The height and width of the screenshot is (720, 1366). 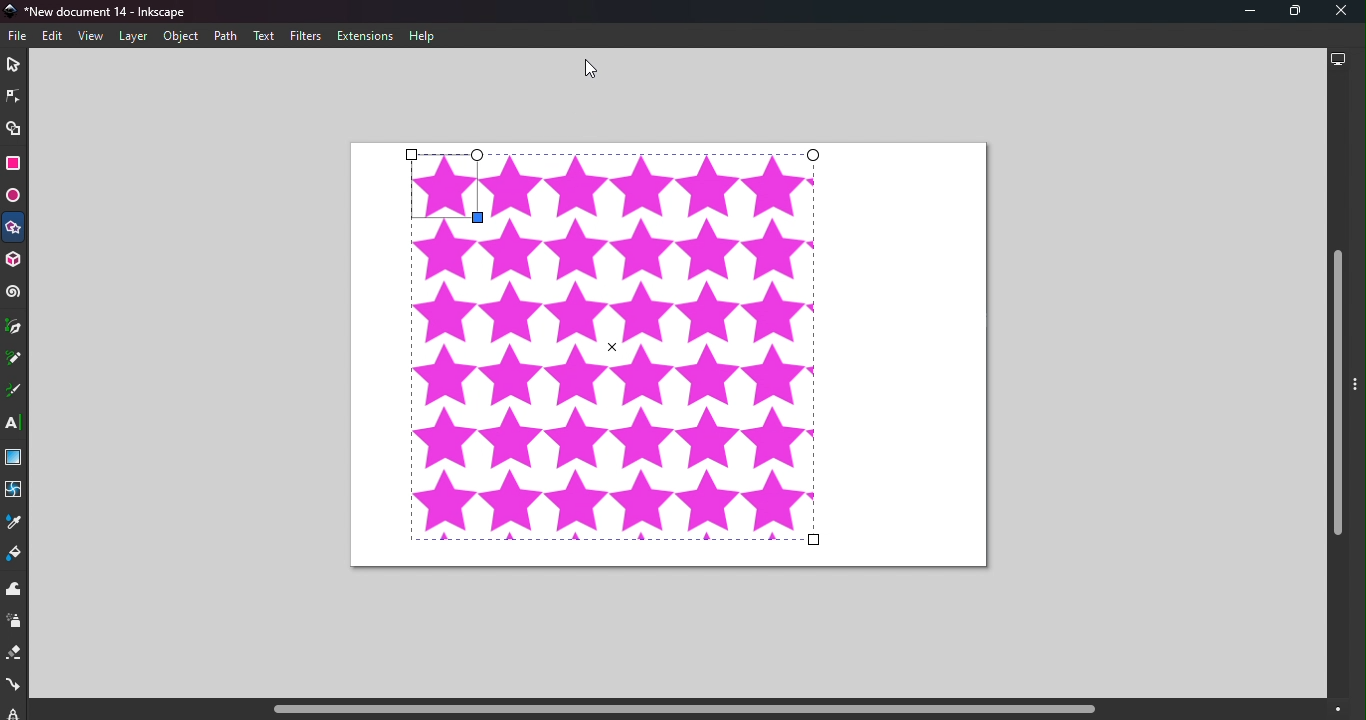 I want to click on Gradient tool, so click(x=15, y=459).